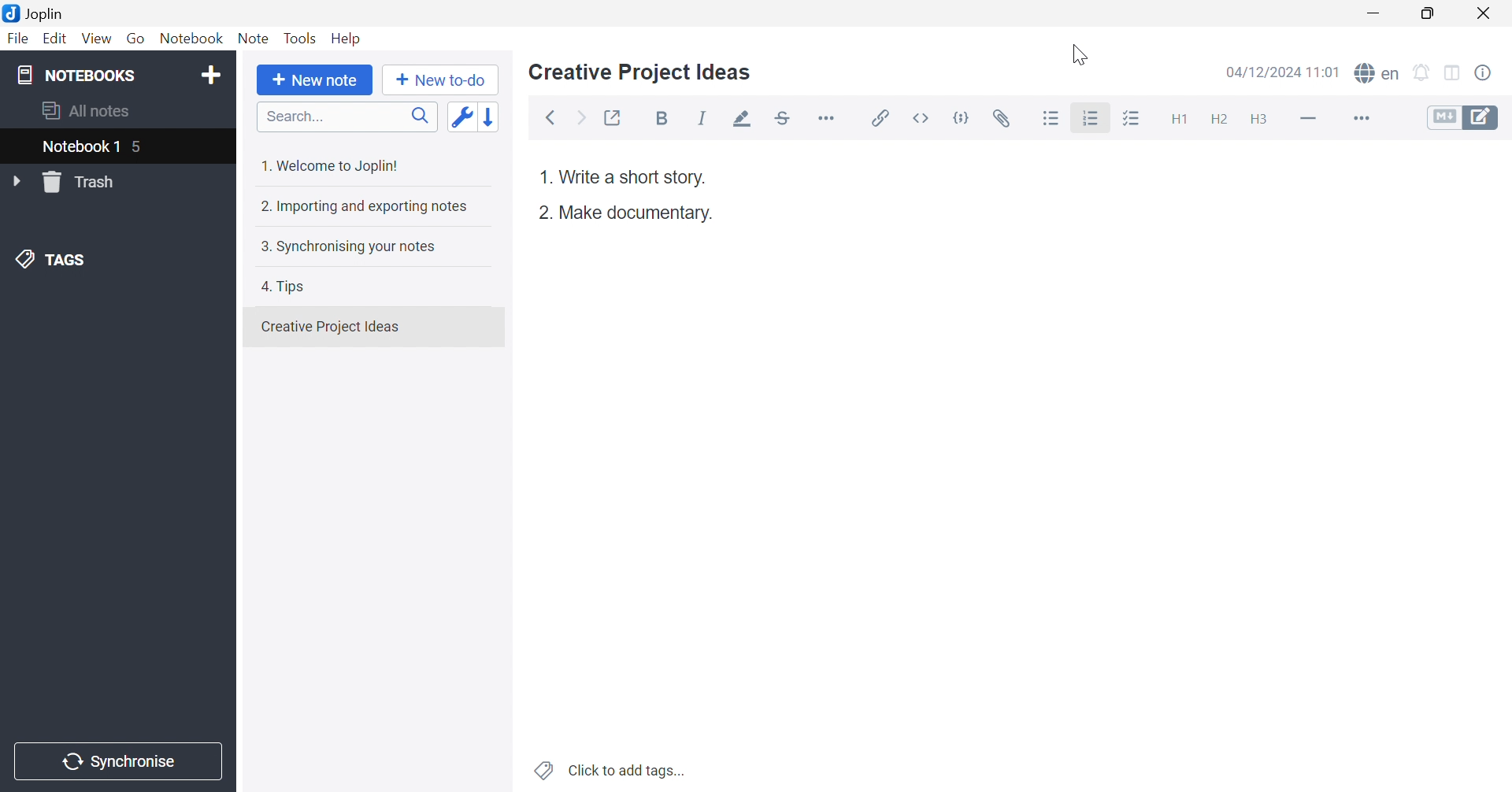 The height and width of the screenshot is (792, 1512). Describe the element at coordinates (744, 120) in the screenshot. I see `Highlight` at that location.